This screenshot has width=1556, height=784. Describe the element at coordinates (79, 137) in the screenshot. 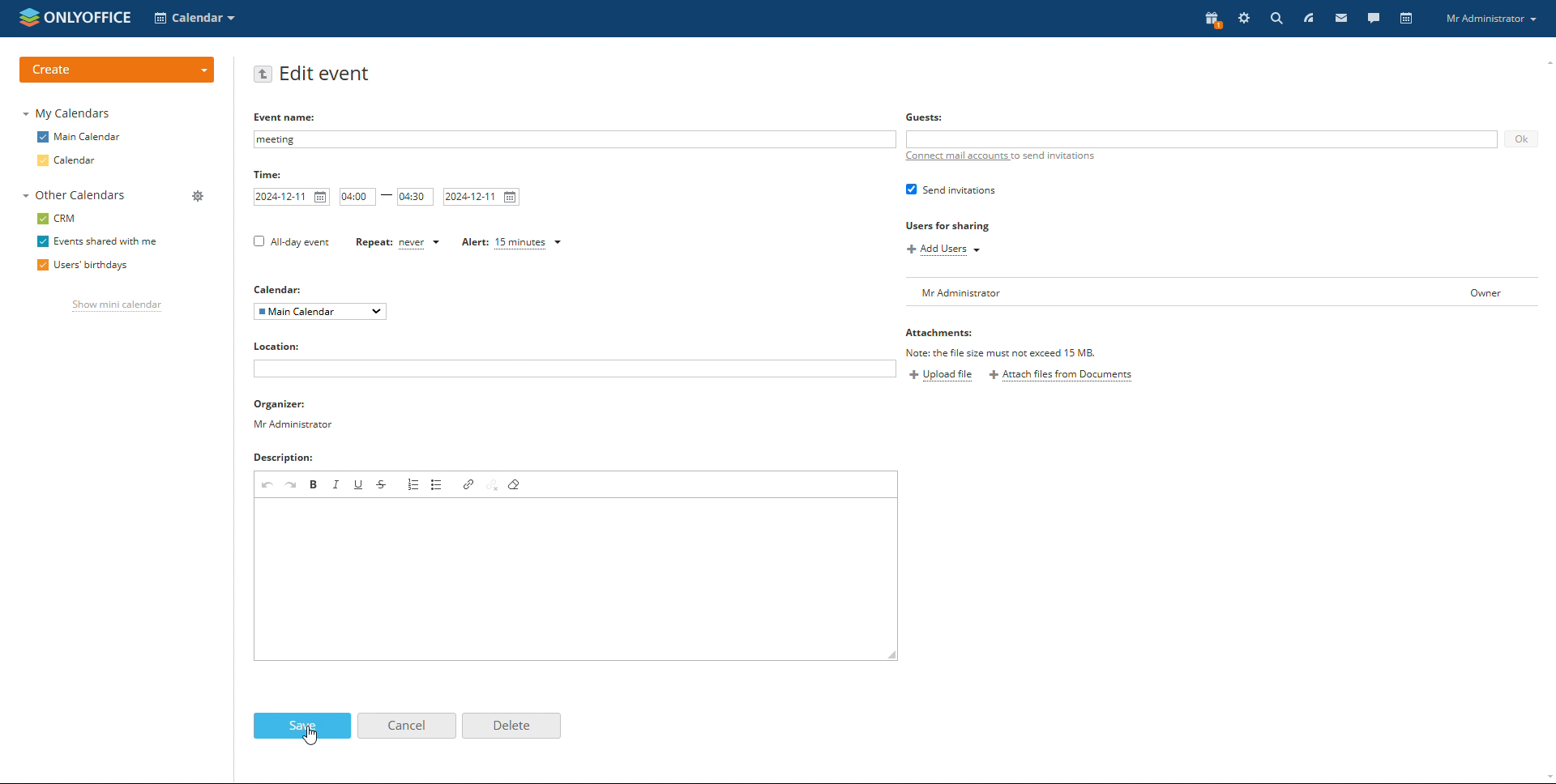

I see `main calendar` at that location.